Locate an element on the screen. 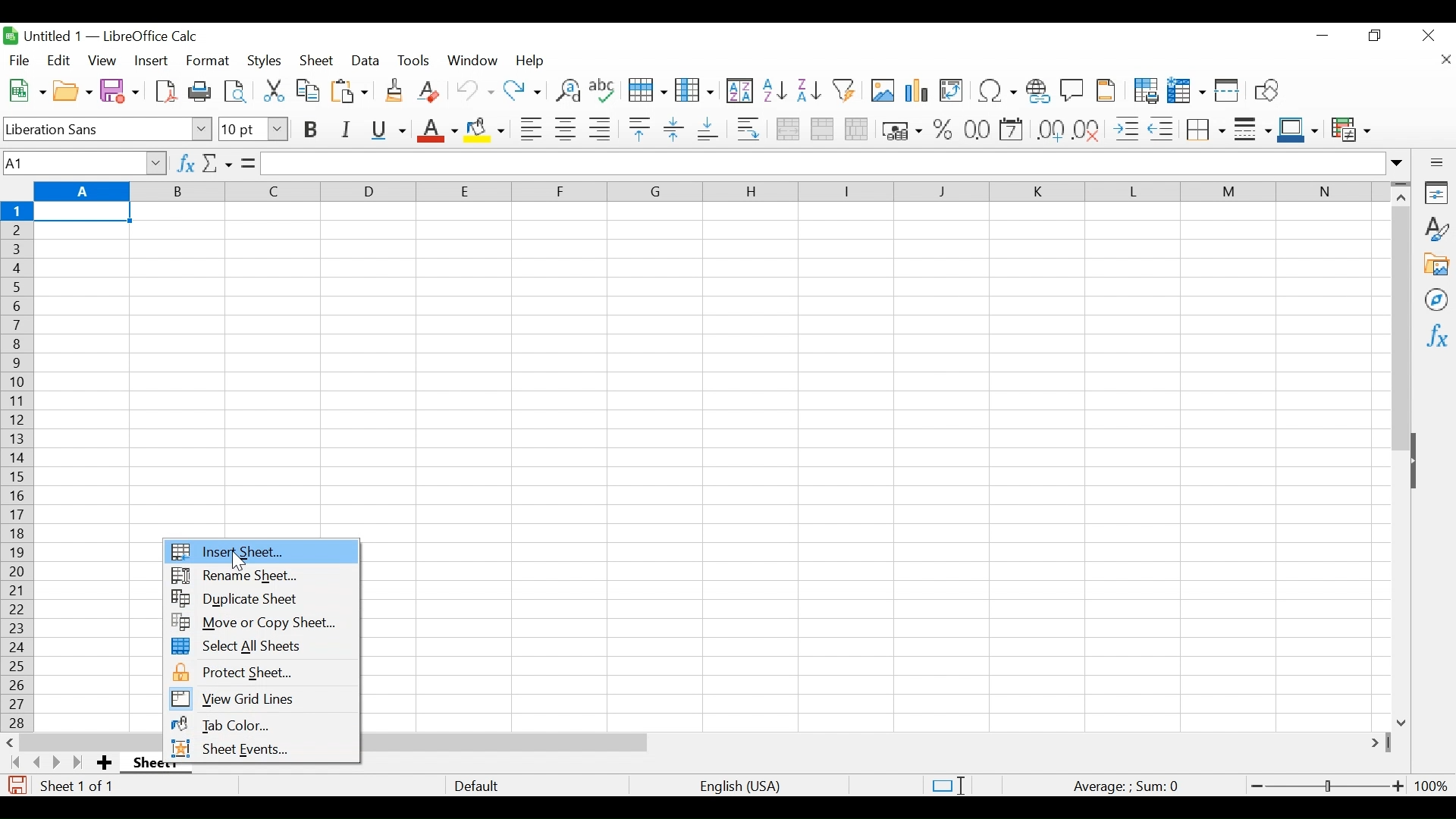  Tab Color is located at coordinates (263, 726).